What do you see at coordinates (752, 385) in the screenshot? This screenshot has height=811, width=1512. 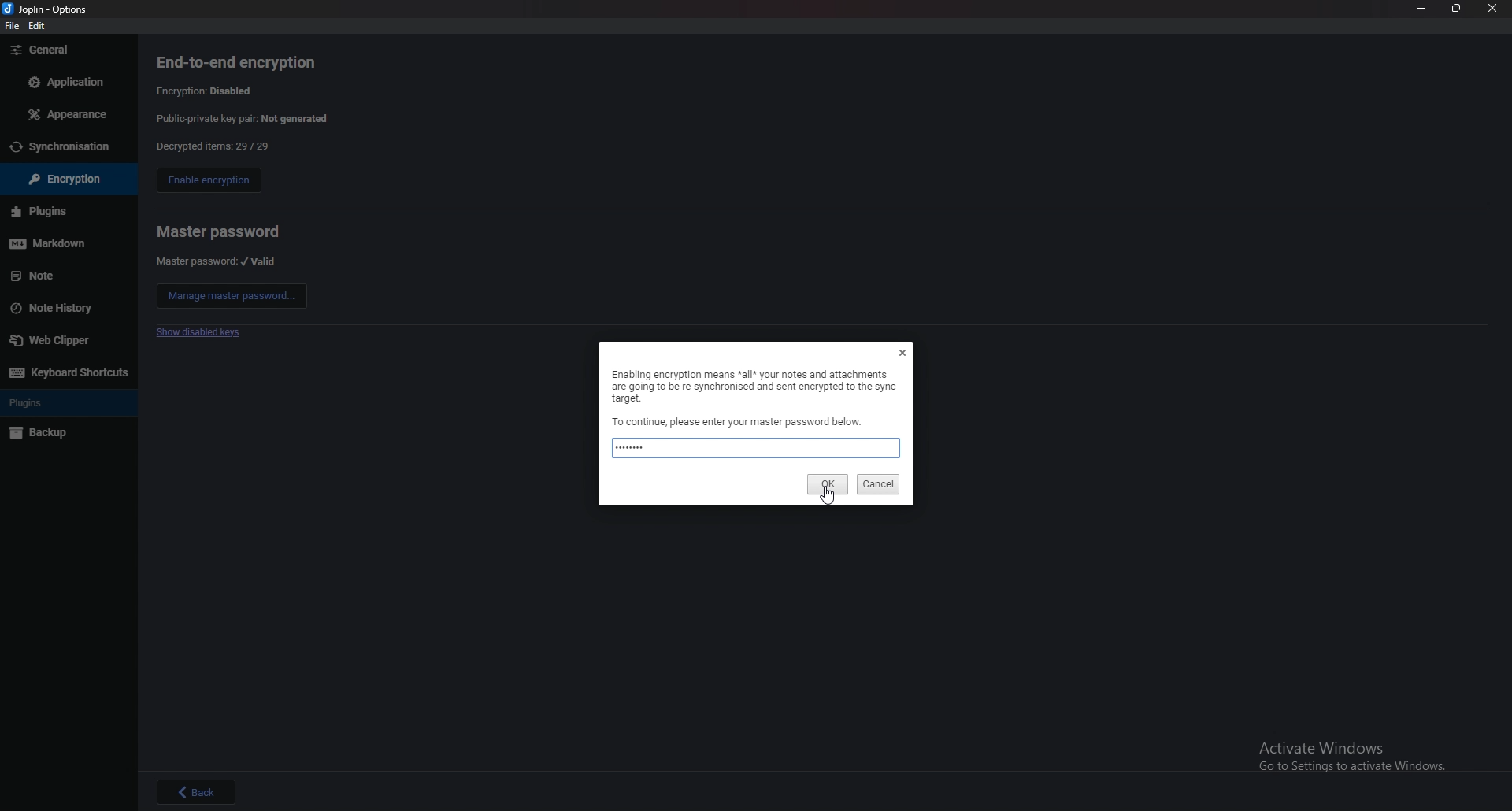 I see `` at bounding box center [752, 385].